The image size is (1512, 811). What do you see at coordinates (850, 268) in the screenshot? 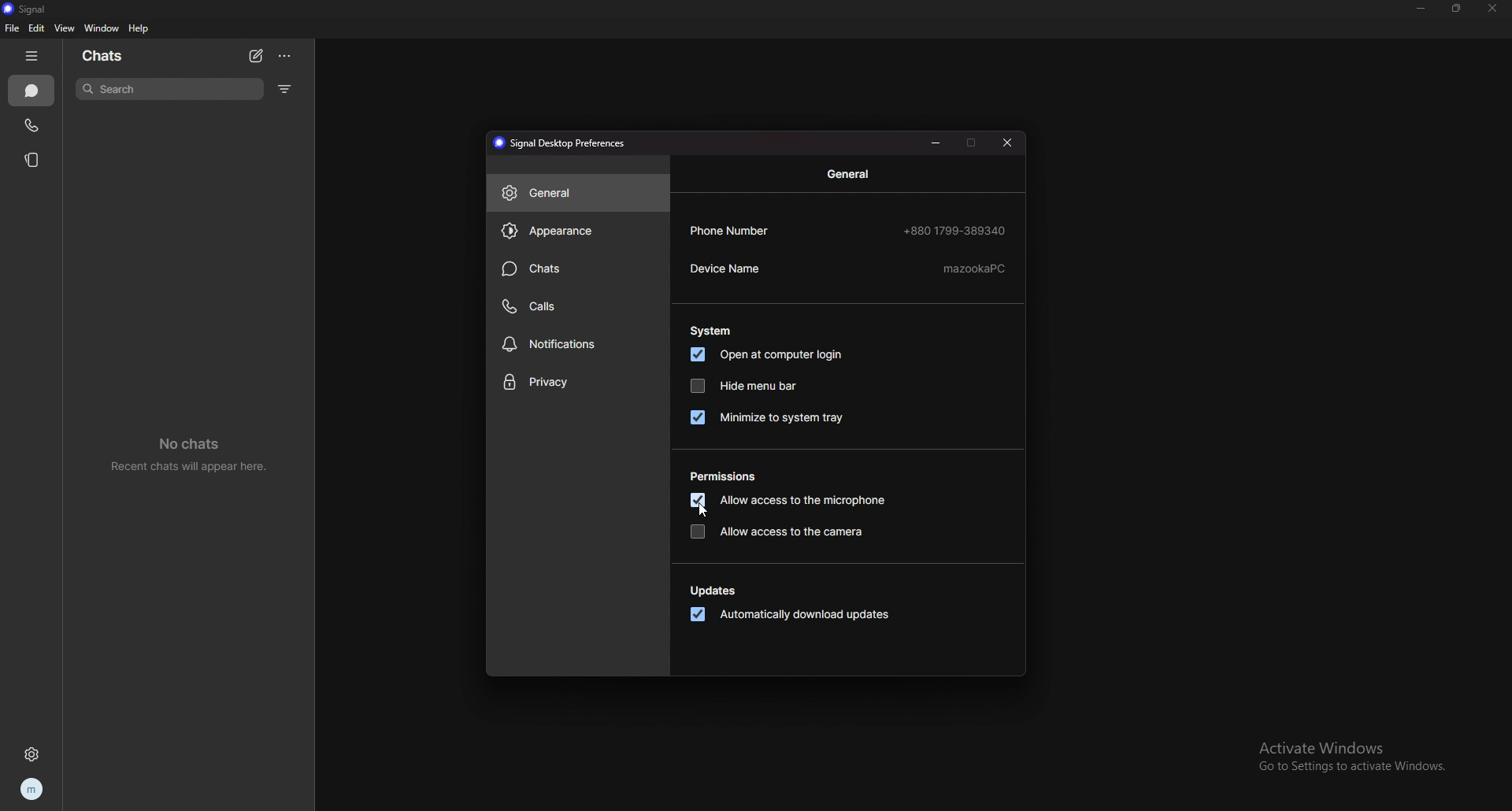
I see `device name` at bounding box center [850, 268].